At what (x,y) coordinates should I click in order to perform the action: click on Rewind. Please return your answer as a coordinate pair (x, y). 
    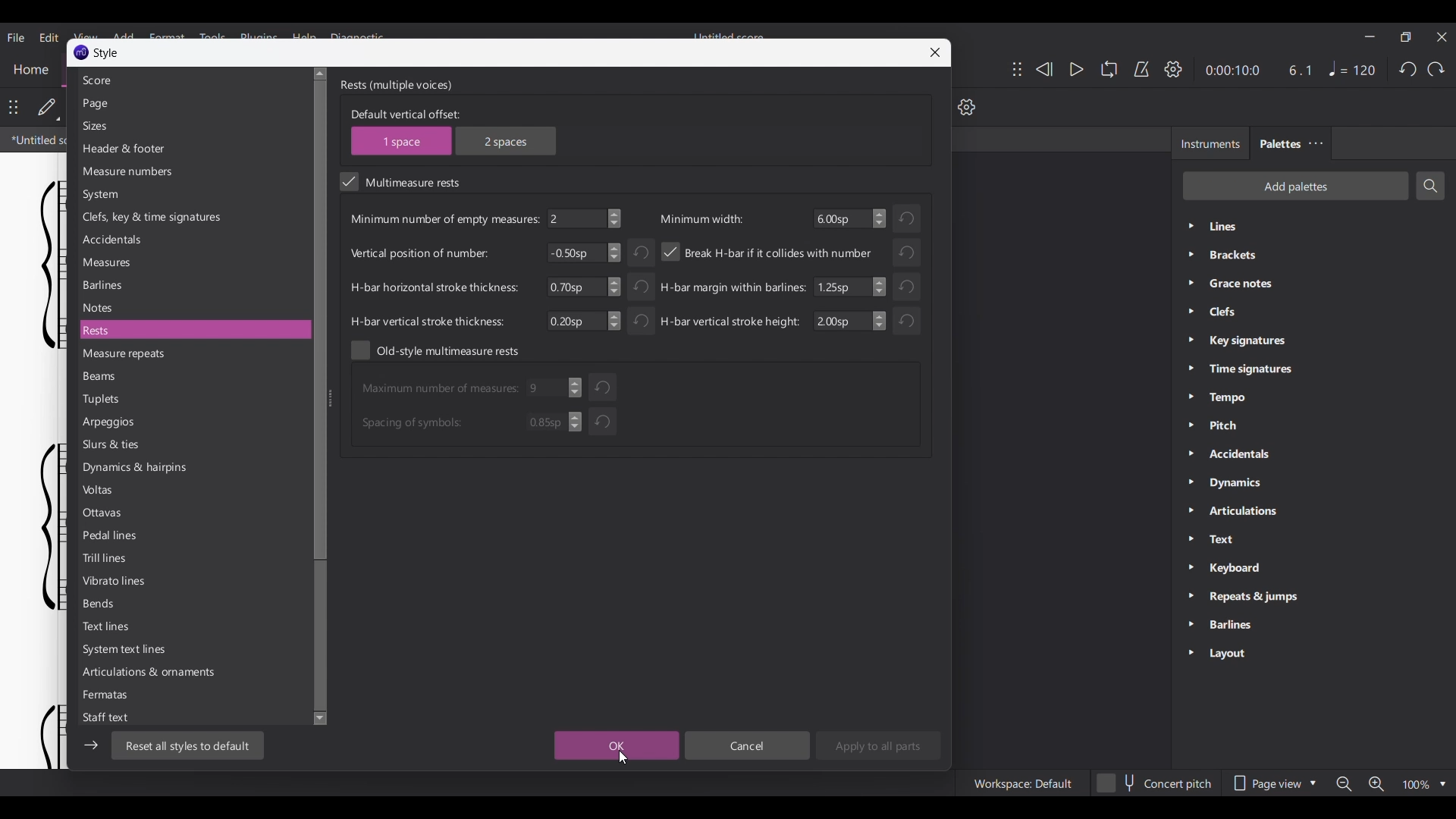
    Looking at the image, I should click on (1043, 69).